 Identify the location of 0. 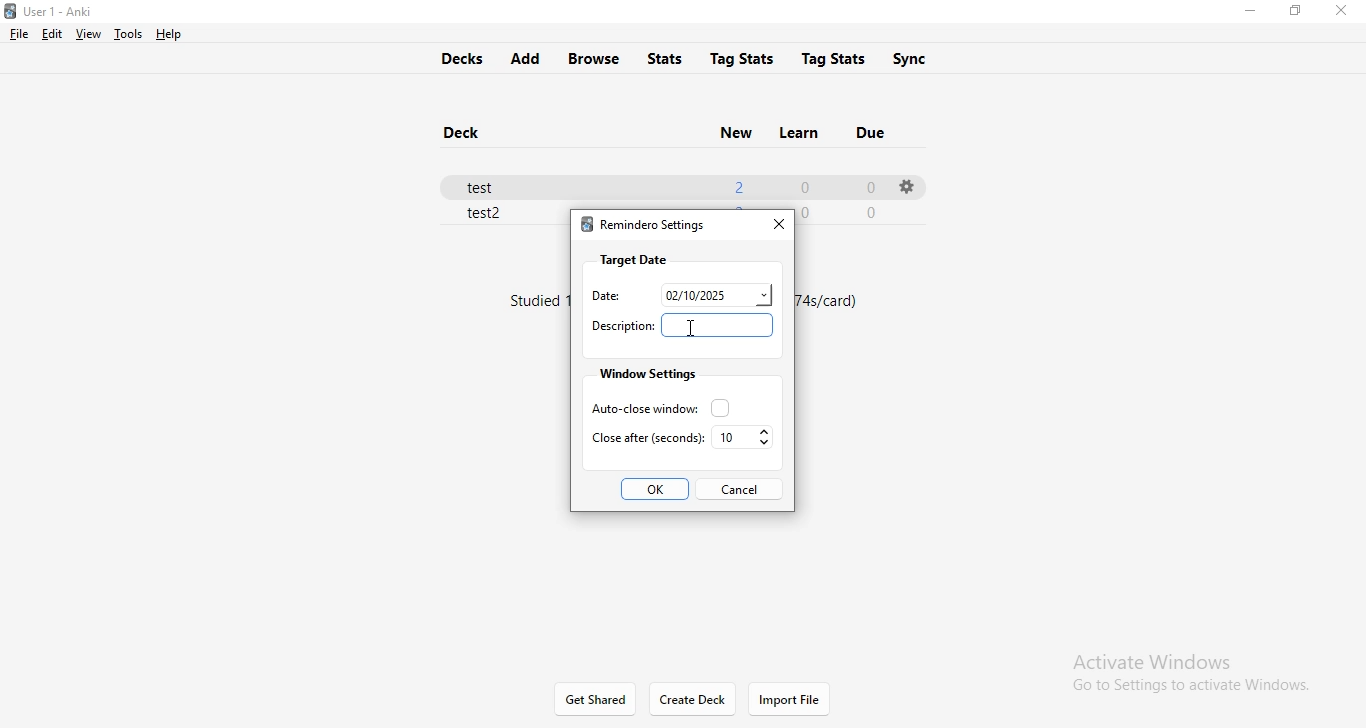
(874, 212).